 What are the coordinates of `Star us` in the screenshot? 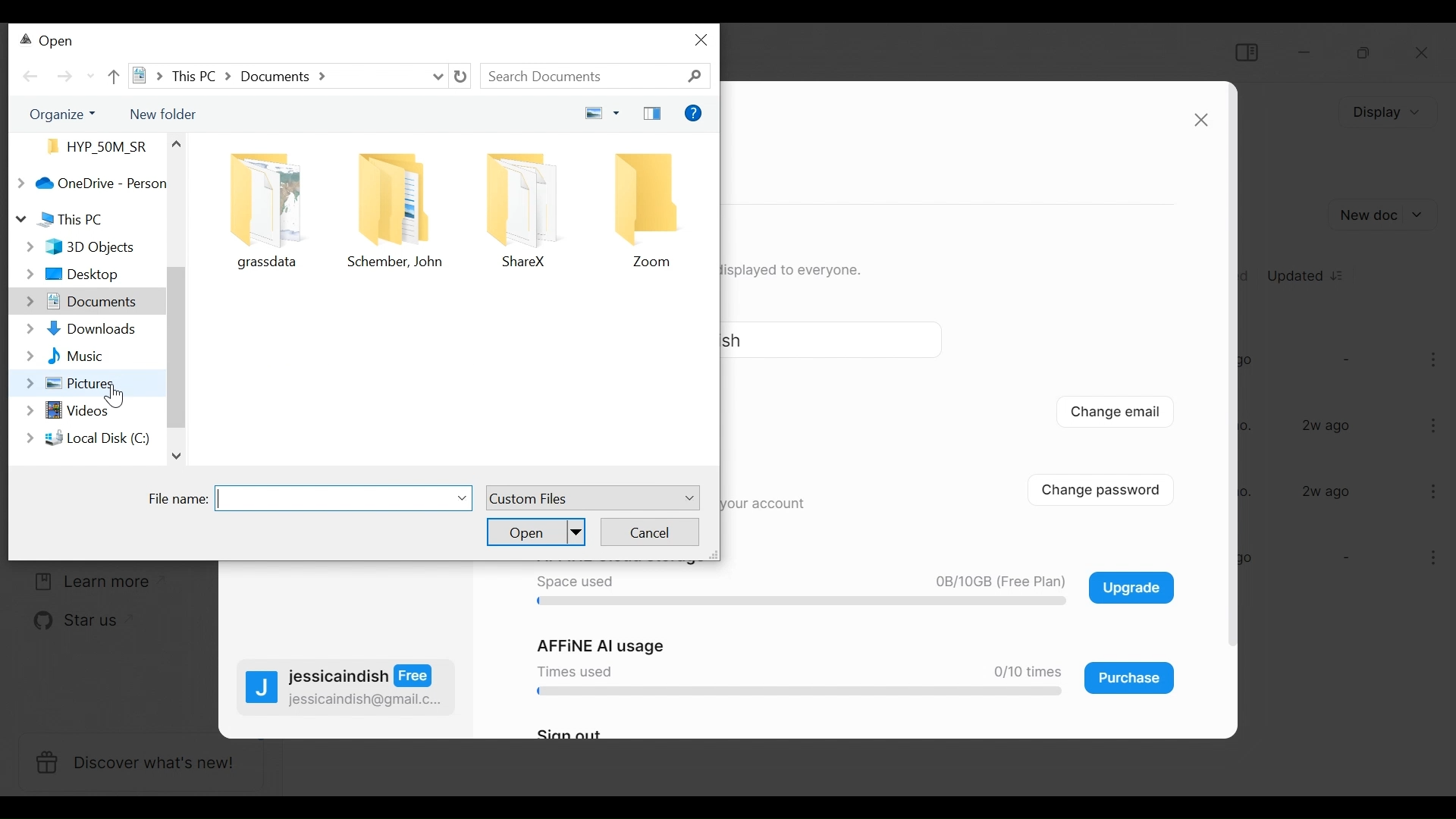 It's located at (67, 622).